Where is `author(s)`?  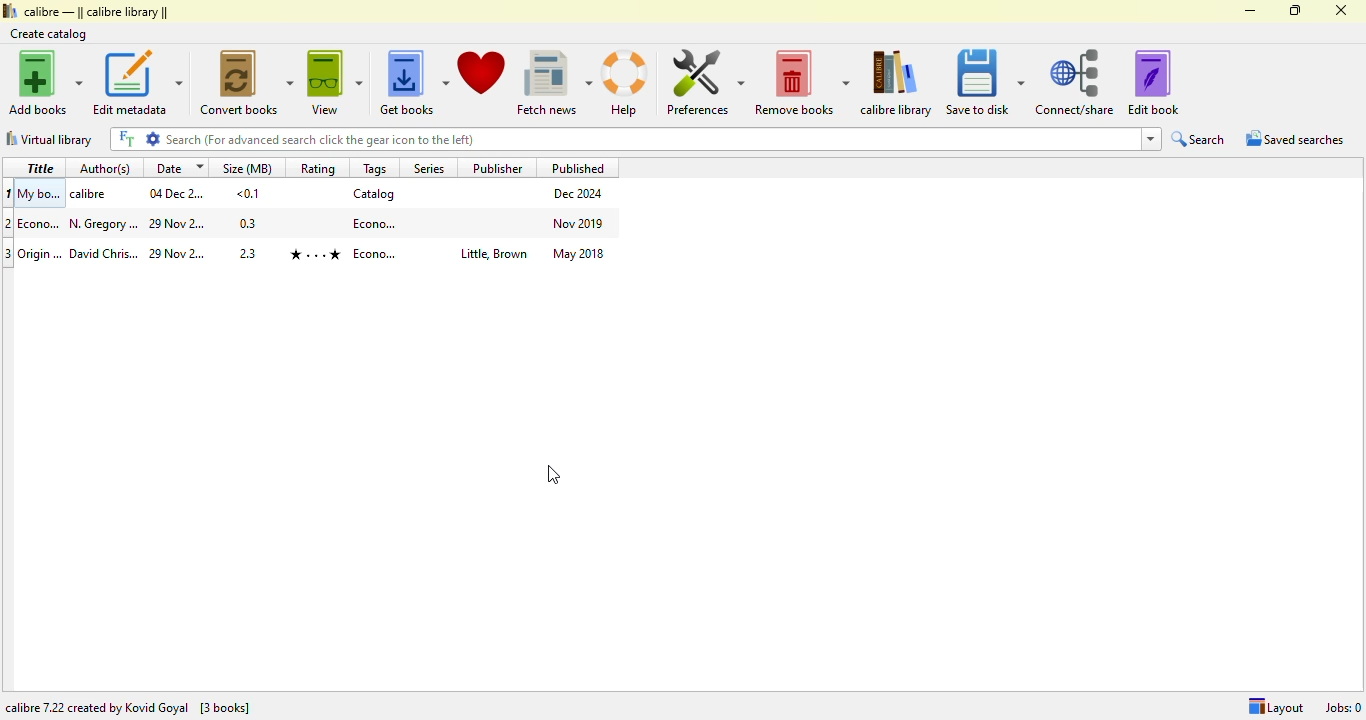
author(s) is located at coordinates (104, 169).